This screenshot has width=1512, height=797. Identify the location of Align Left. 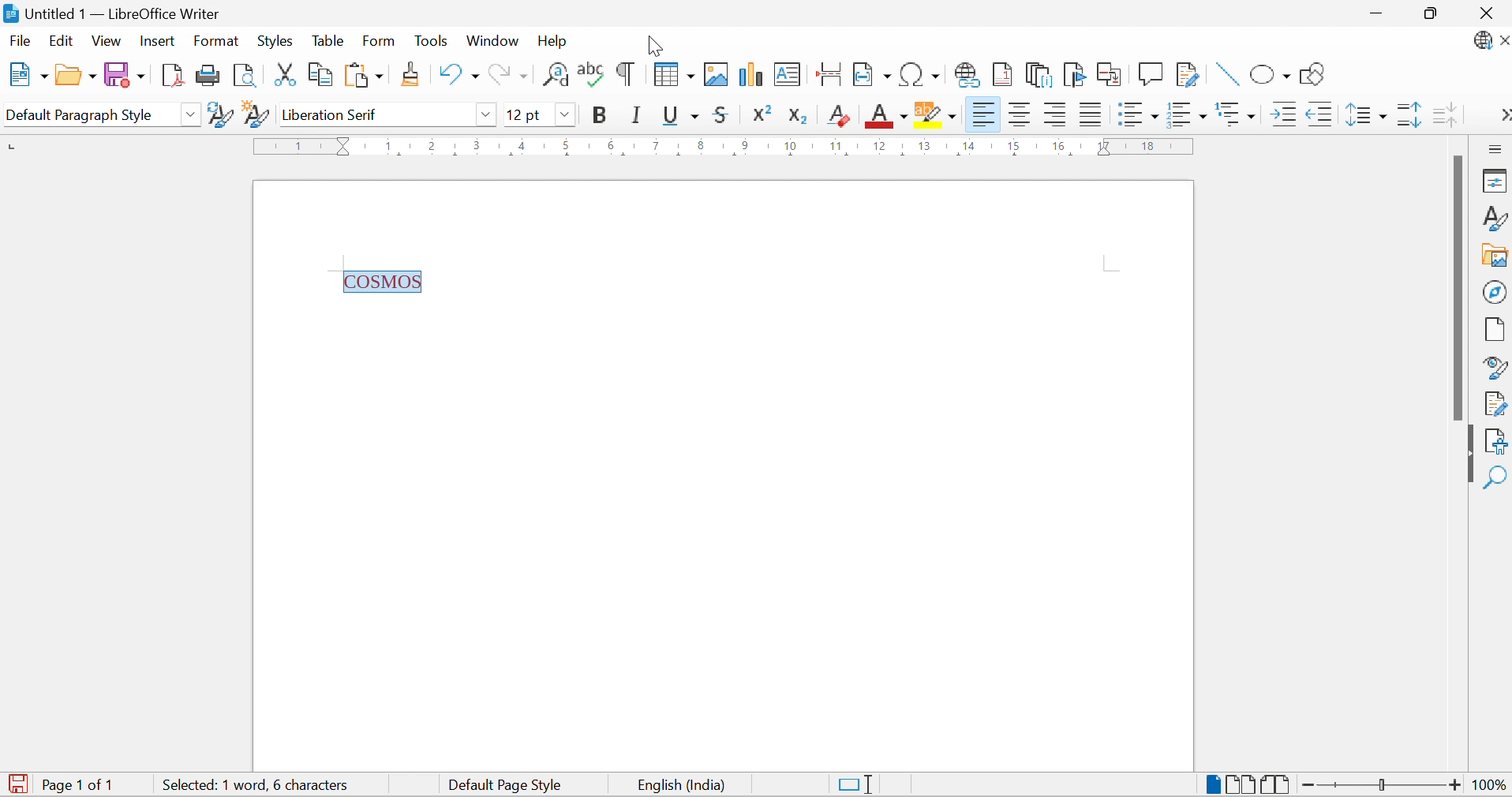
(1056, 114).